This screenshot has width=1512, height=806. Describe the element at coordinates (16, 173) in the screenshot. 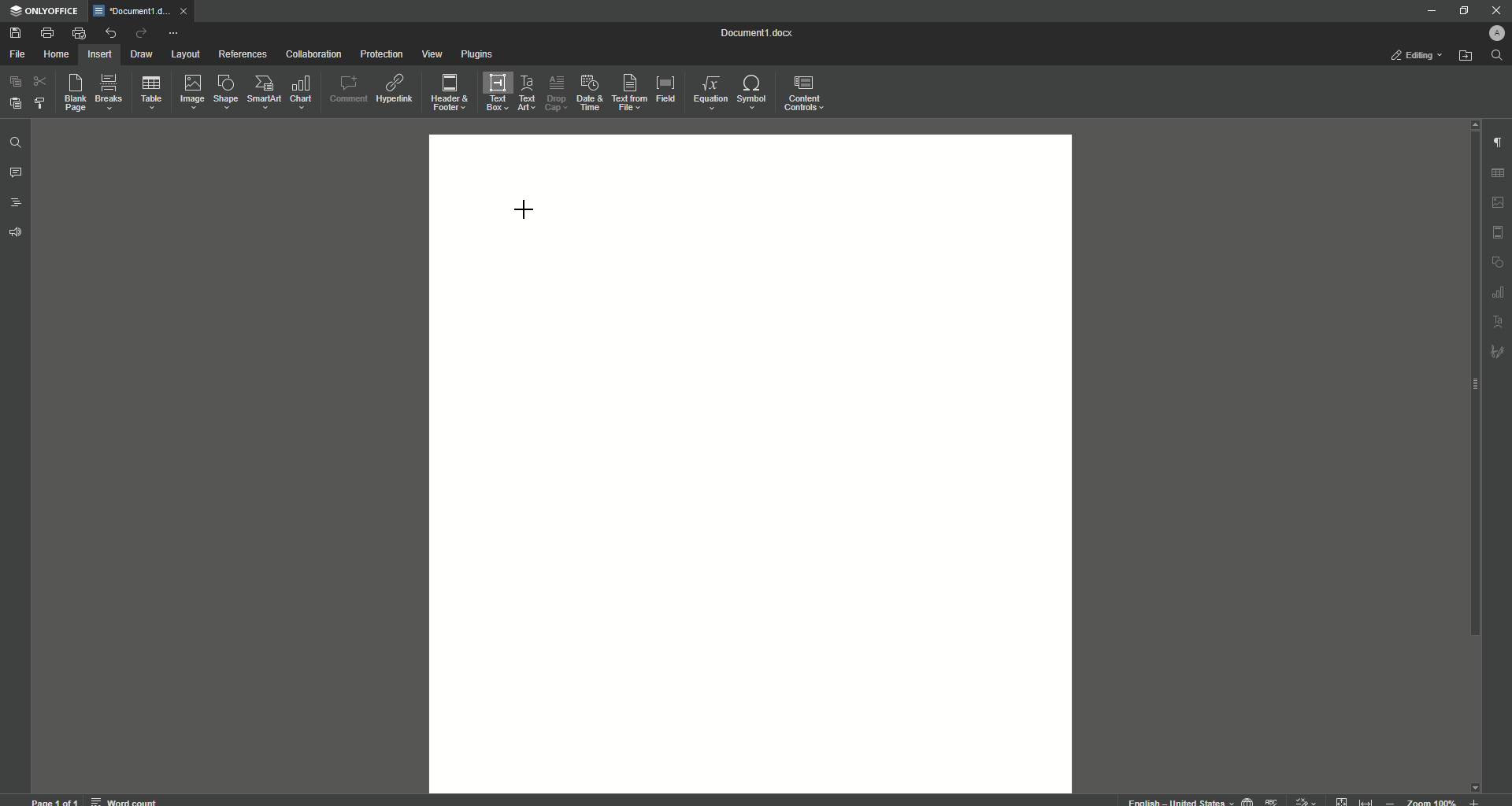

I see `Comments` at that location.